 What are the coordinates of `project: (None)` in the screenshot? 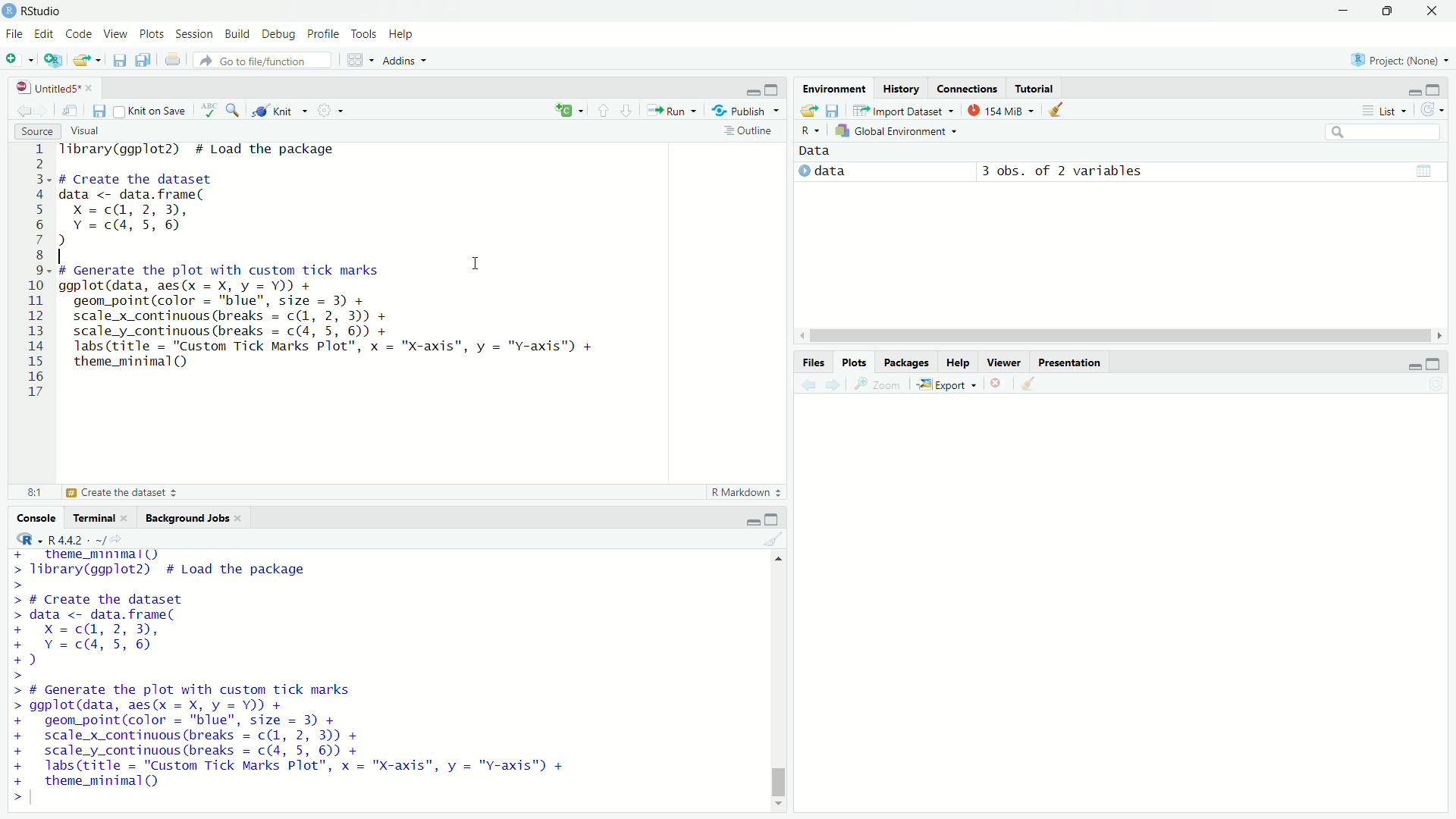 It's located at (1398, 56).